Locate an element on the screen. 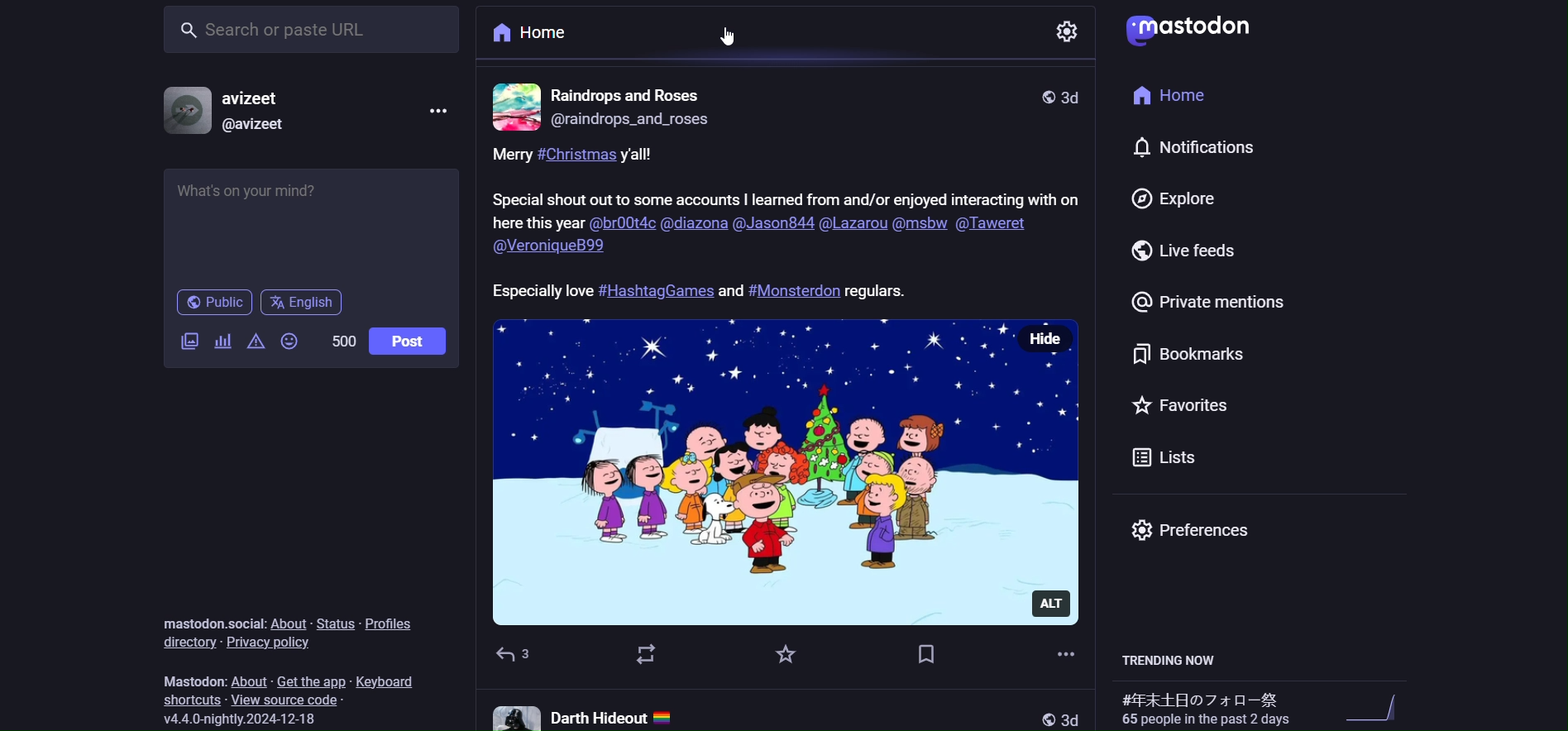 The image size is (1568, 731). private mention is located at coordinates (1199, 300).